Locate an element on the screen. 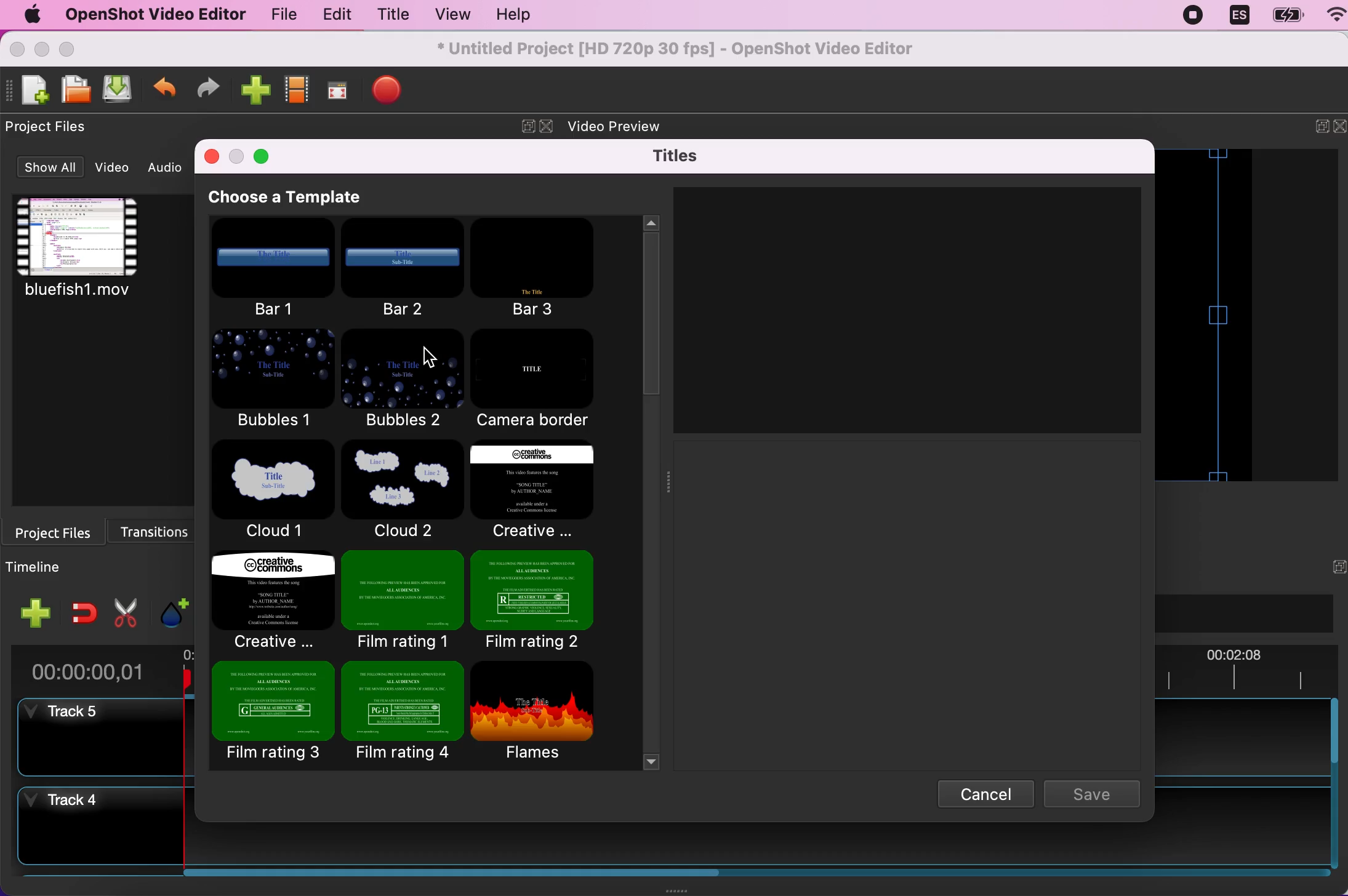 The image size is (1348, 896). cut is located at coordinates (126, 610).